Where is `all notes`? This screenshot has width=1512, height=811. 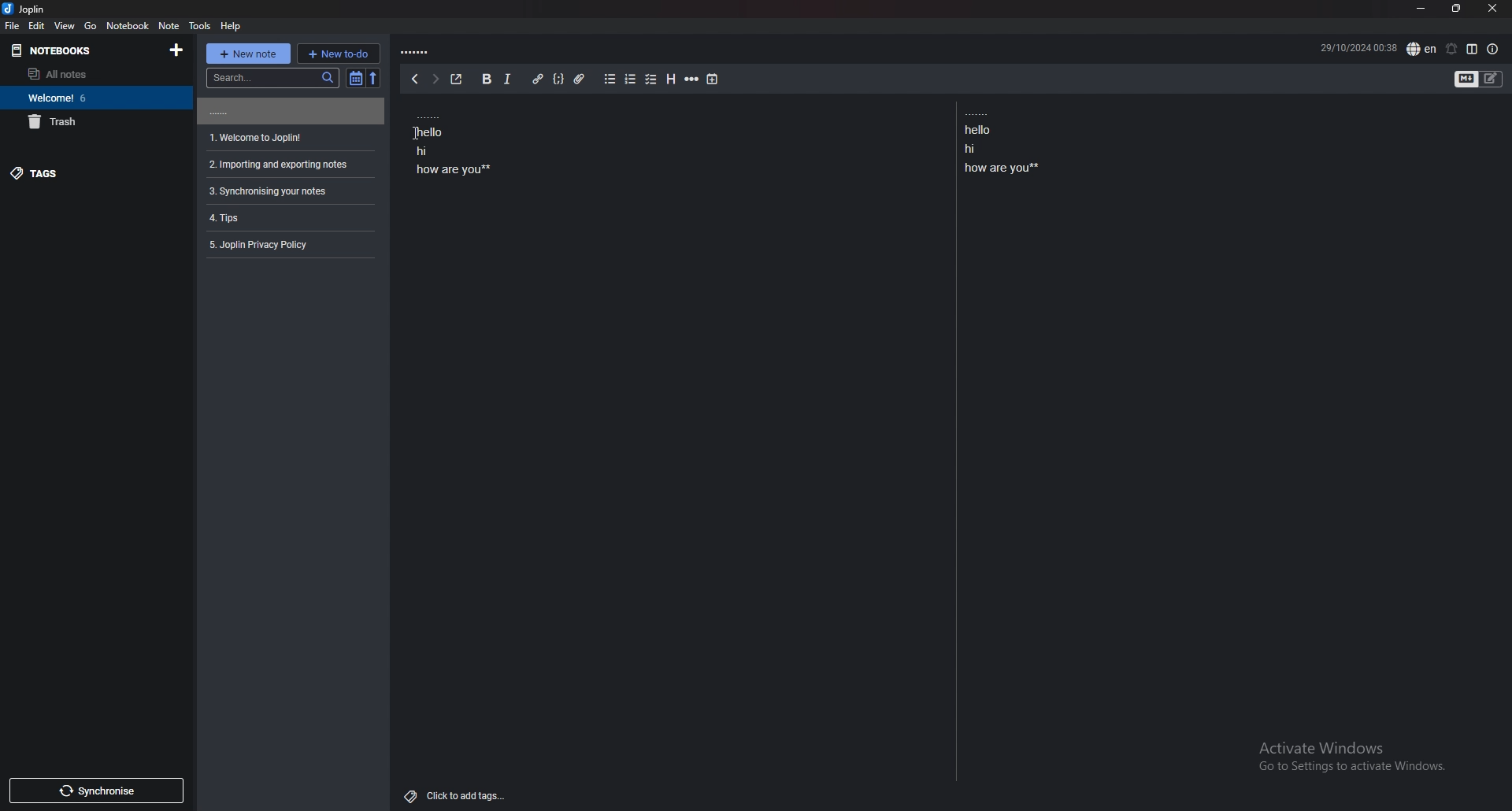 all notes is located at coordinates (88, 73).